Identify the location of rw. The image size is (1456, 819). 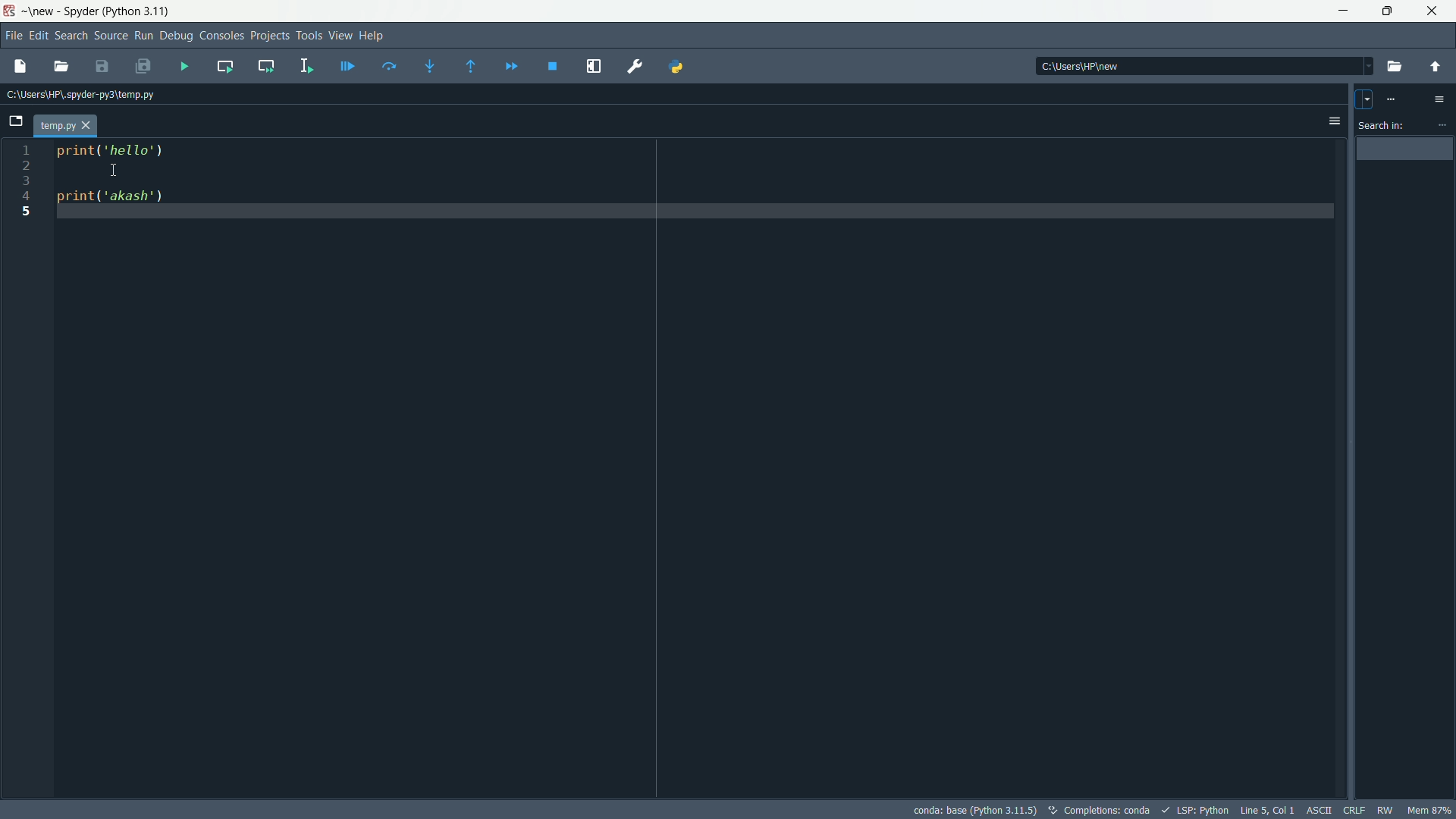
(1386, 809).